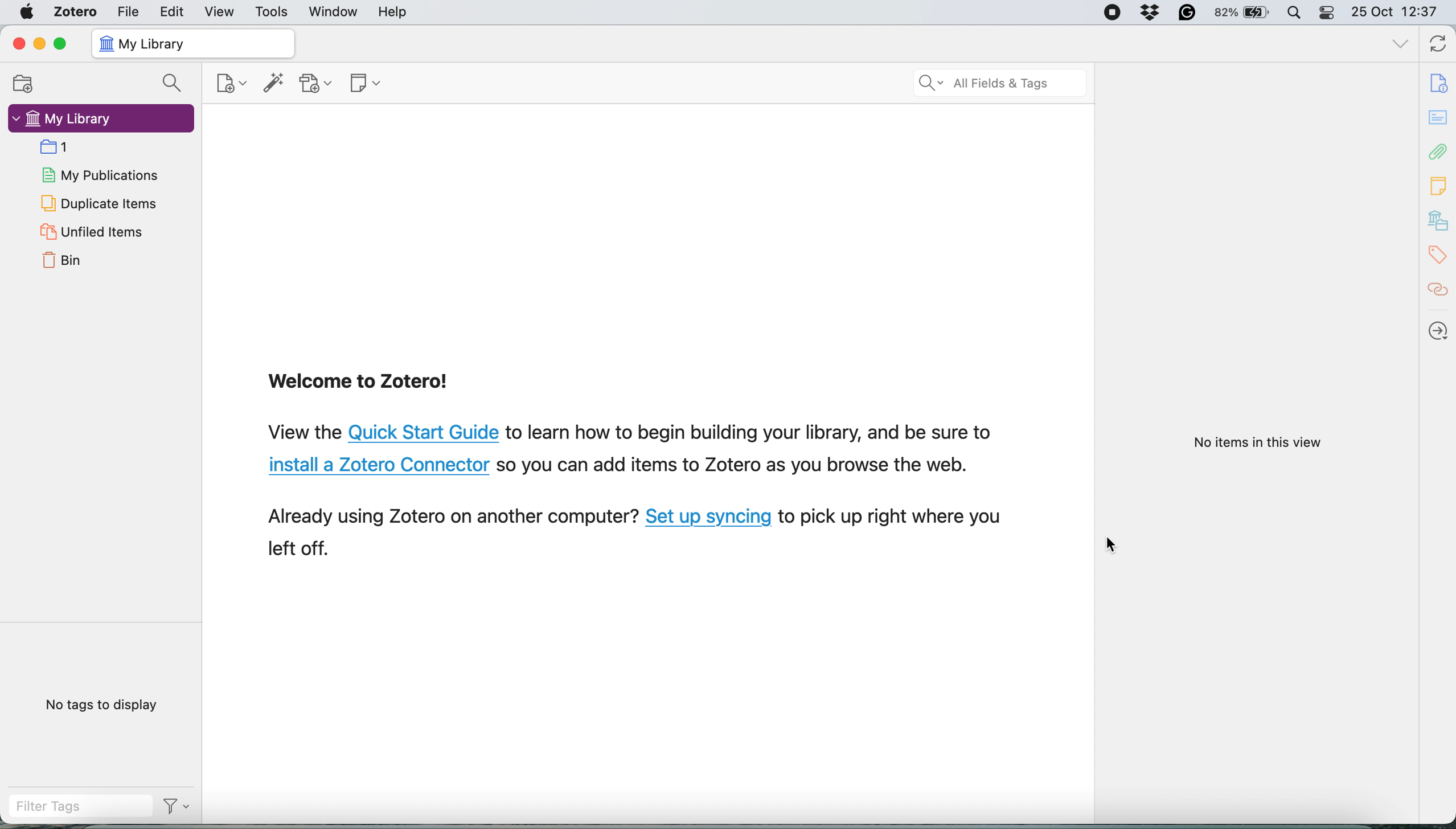 The width and height of the screenshot is (1456, 829). Describe the element at coordinates (1439, 154) in the screenshot. I see `attachements` at that location.